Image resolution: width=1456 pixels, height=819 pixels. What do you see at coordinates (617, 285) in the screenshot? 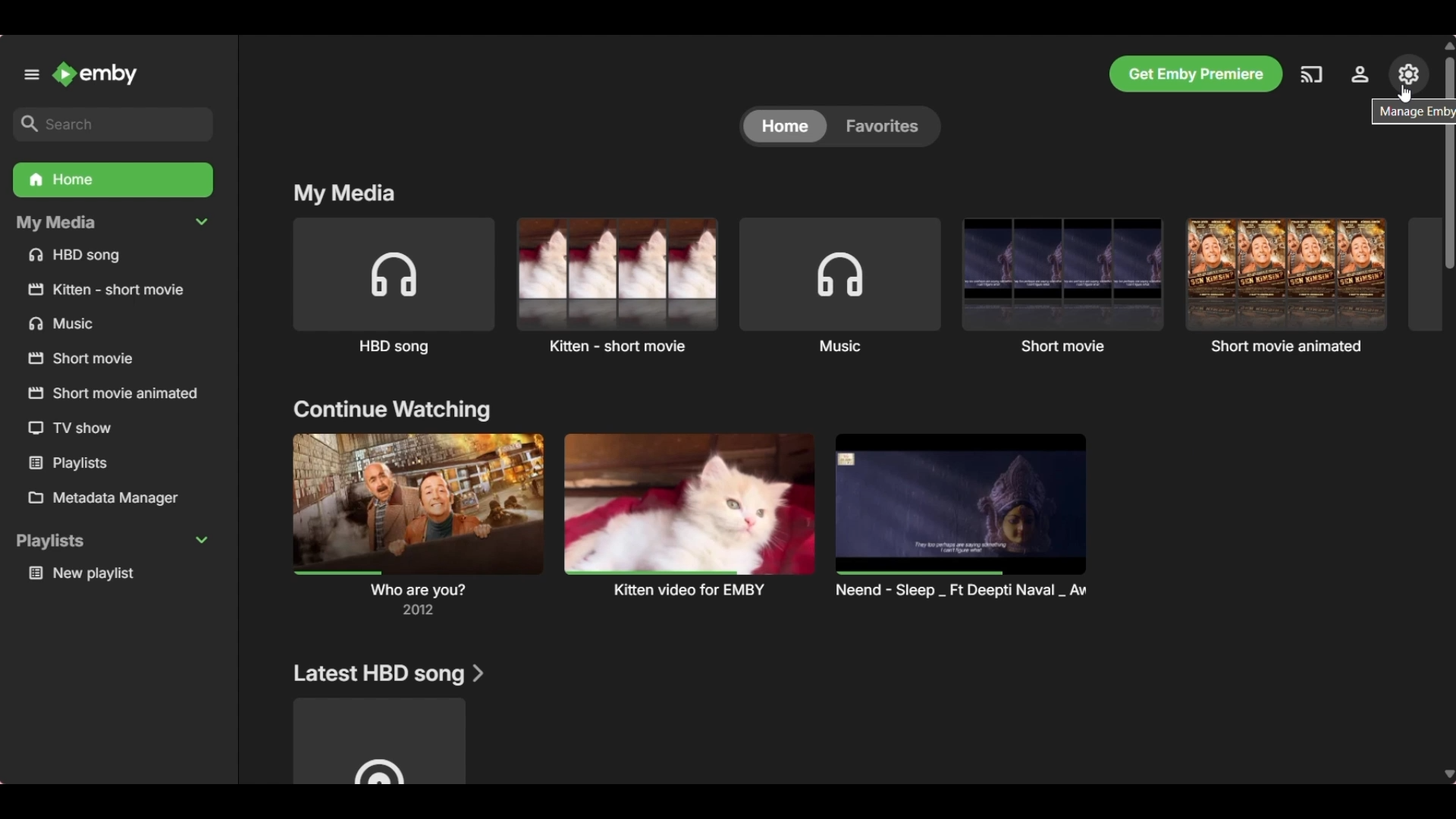
I see `Kitten short movie` at bounding box center [617, 285].